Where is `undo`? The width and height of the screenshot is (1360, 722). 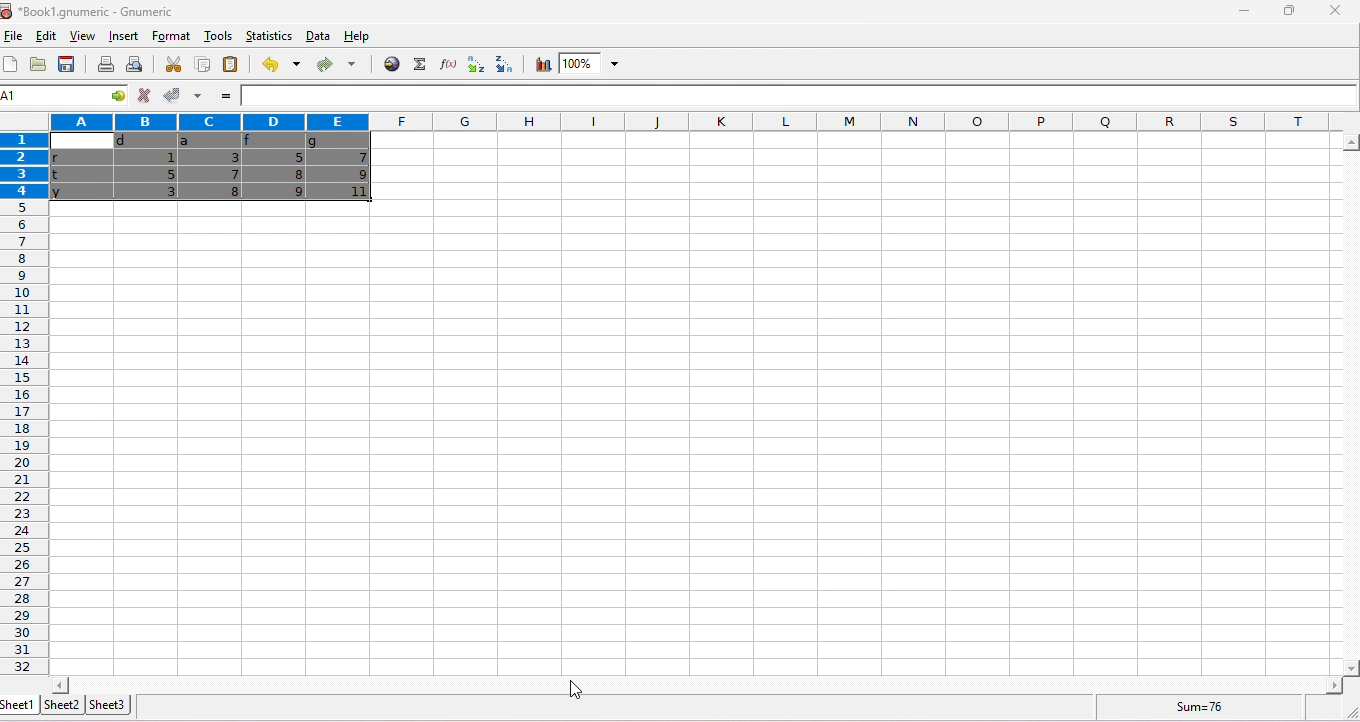
undo is located at coordinates (278, 65).